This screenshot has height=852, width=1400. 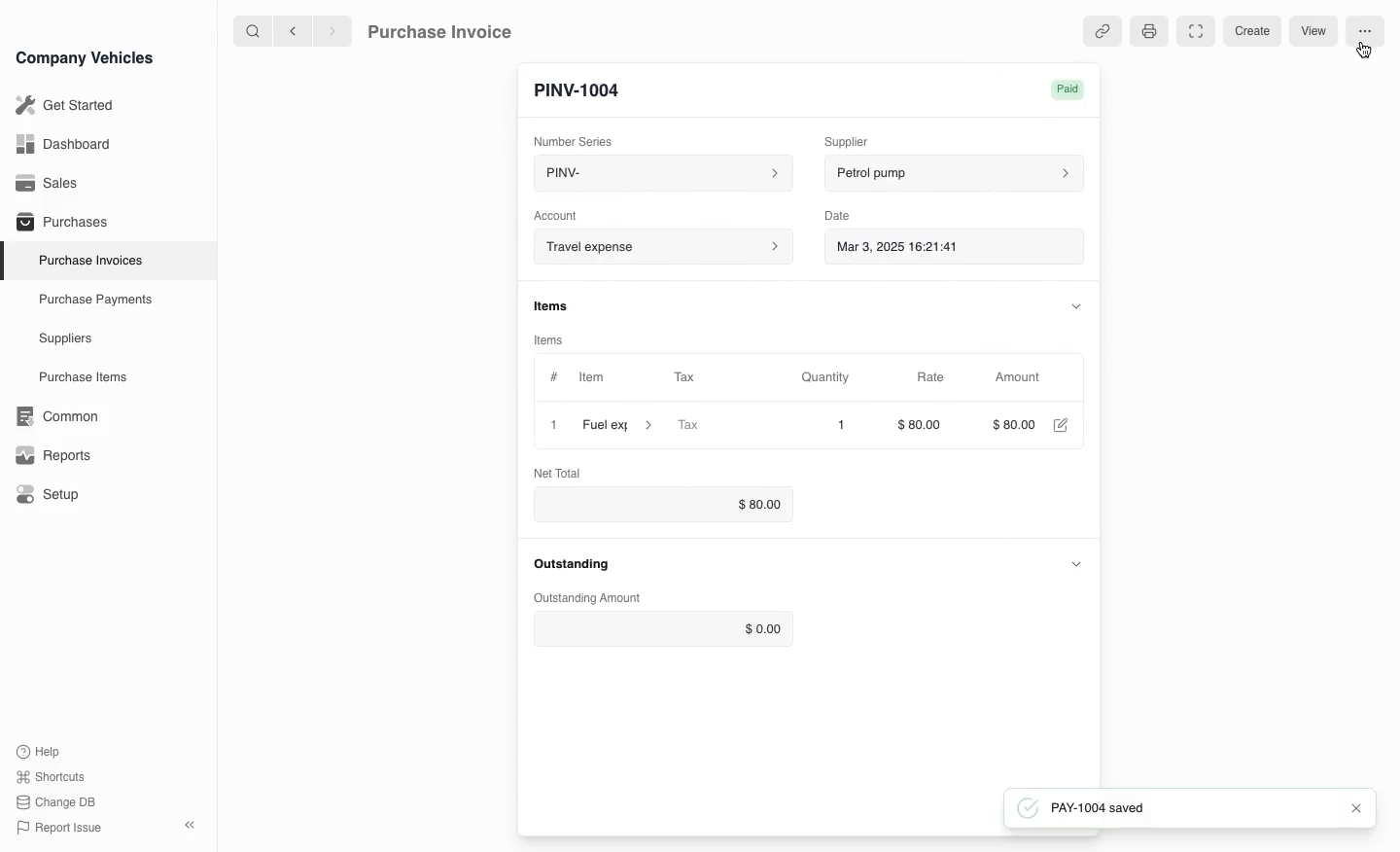 What do you see at coordinates (1194, 808) in the screenshot?
I see `PAY-1004 saved` at bounding box center [1194, 808].